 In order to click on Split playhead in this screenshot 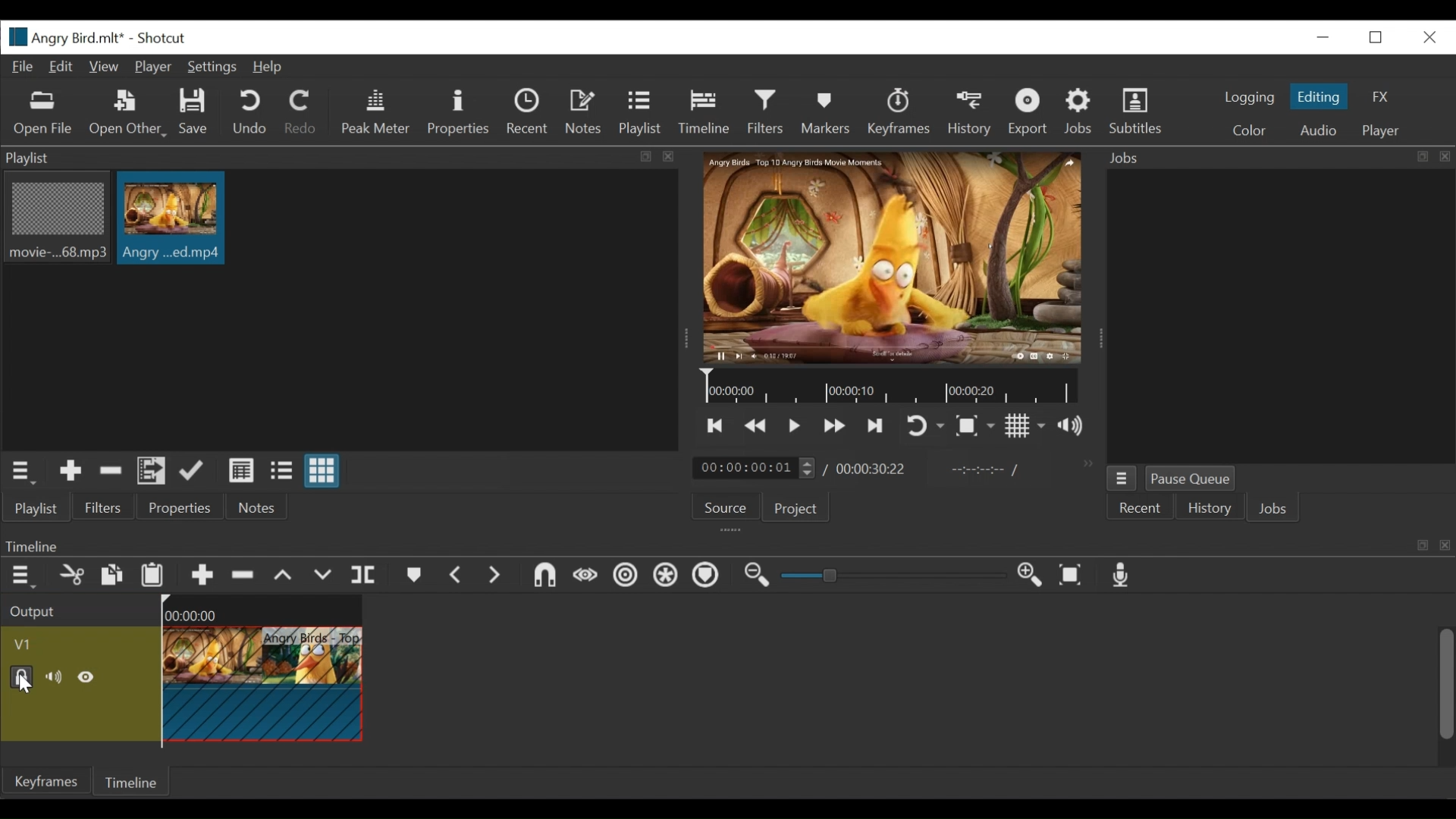, I will do `click(363, 578)`.